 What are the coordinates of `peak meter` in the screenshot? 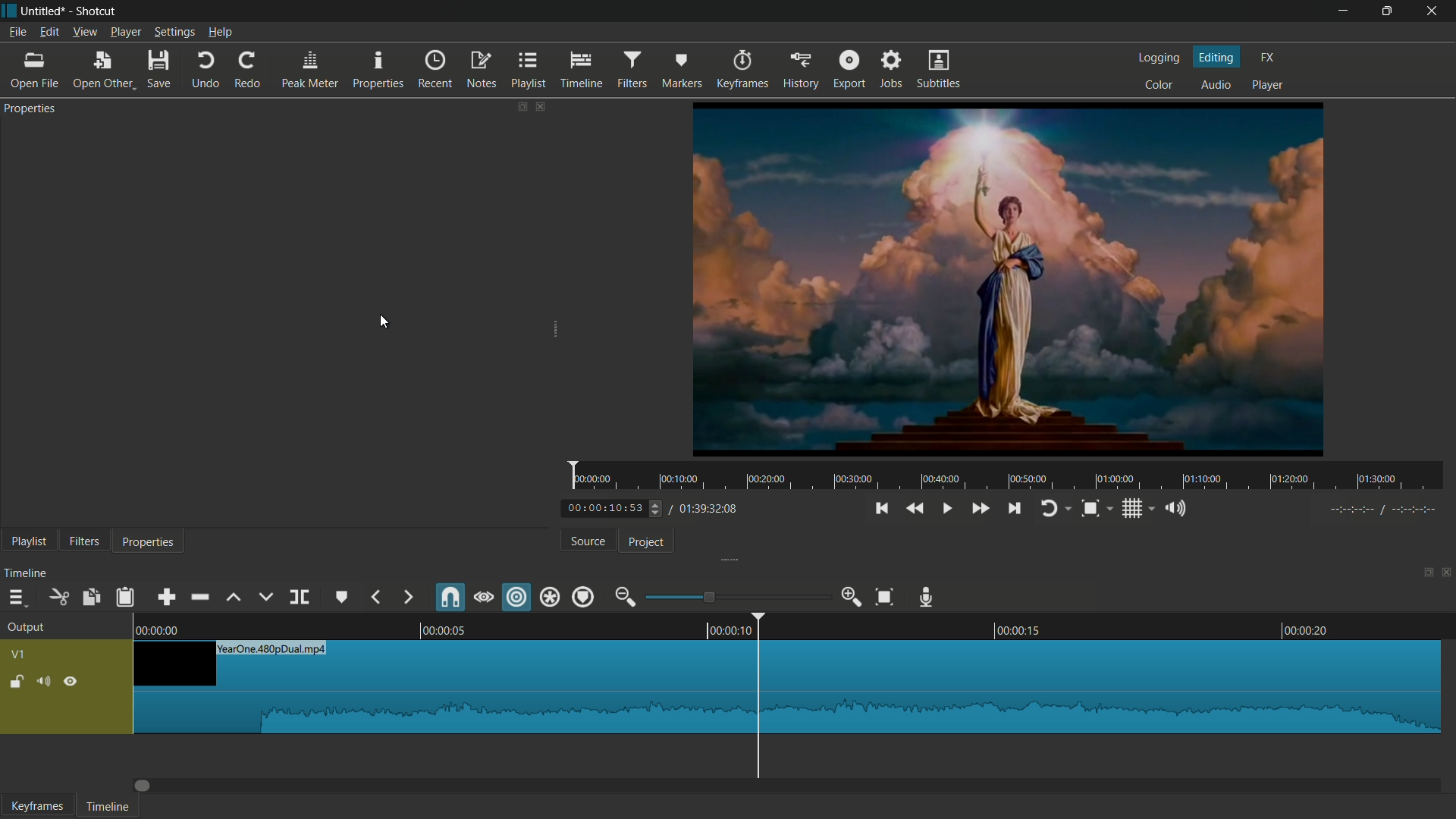 It's located at (310, 69).